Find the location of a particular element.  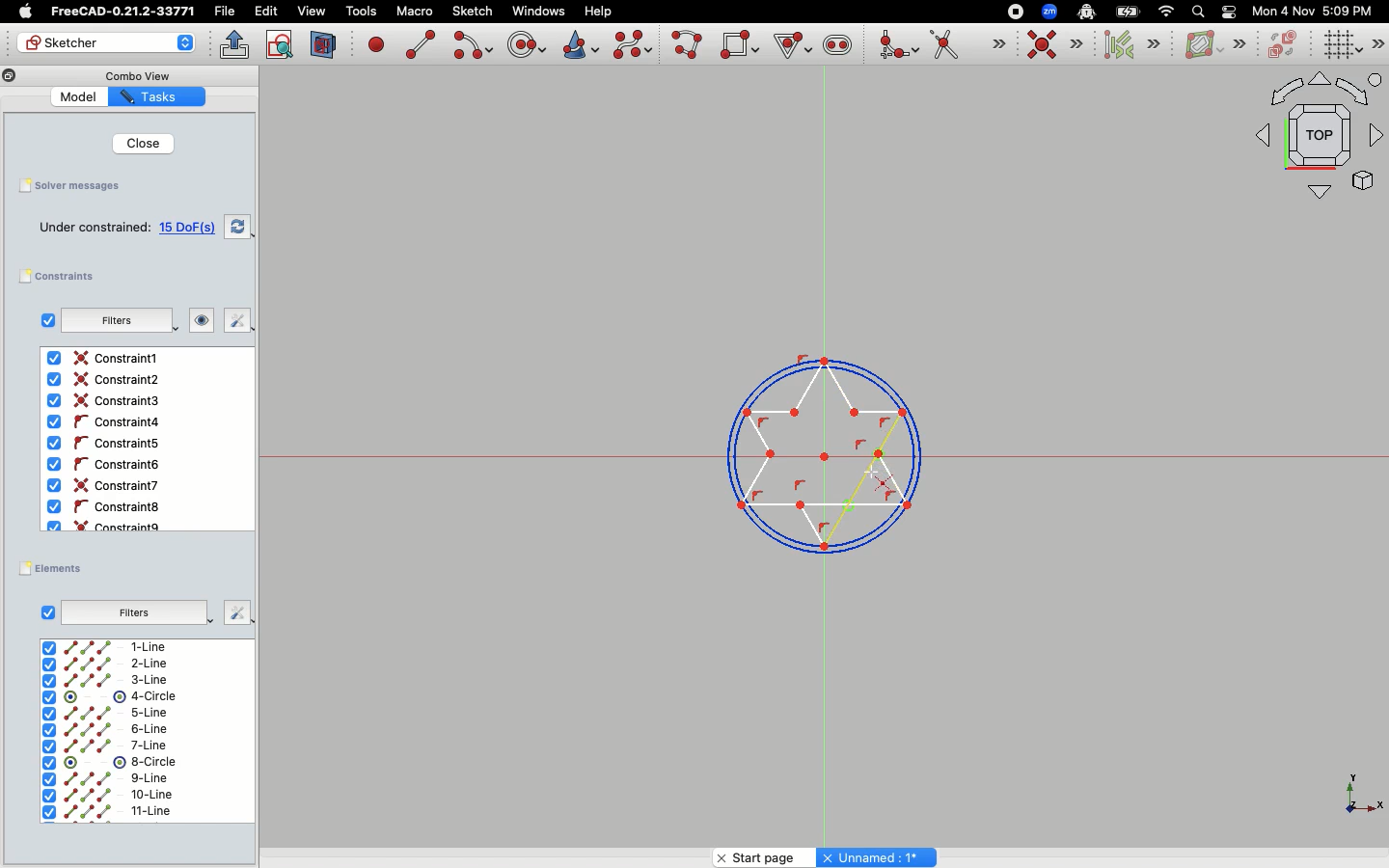

Constaint6 is located at coordinates (107, 465).